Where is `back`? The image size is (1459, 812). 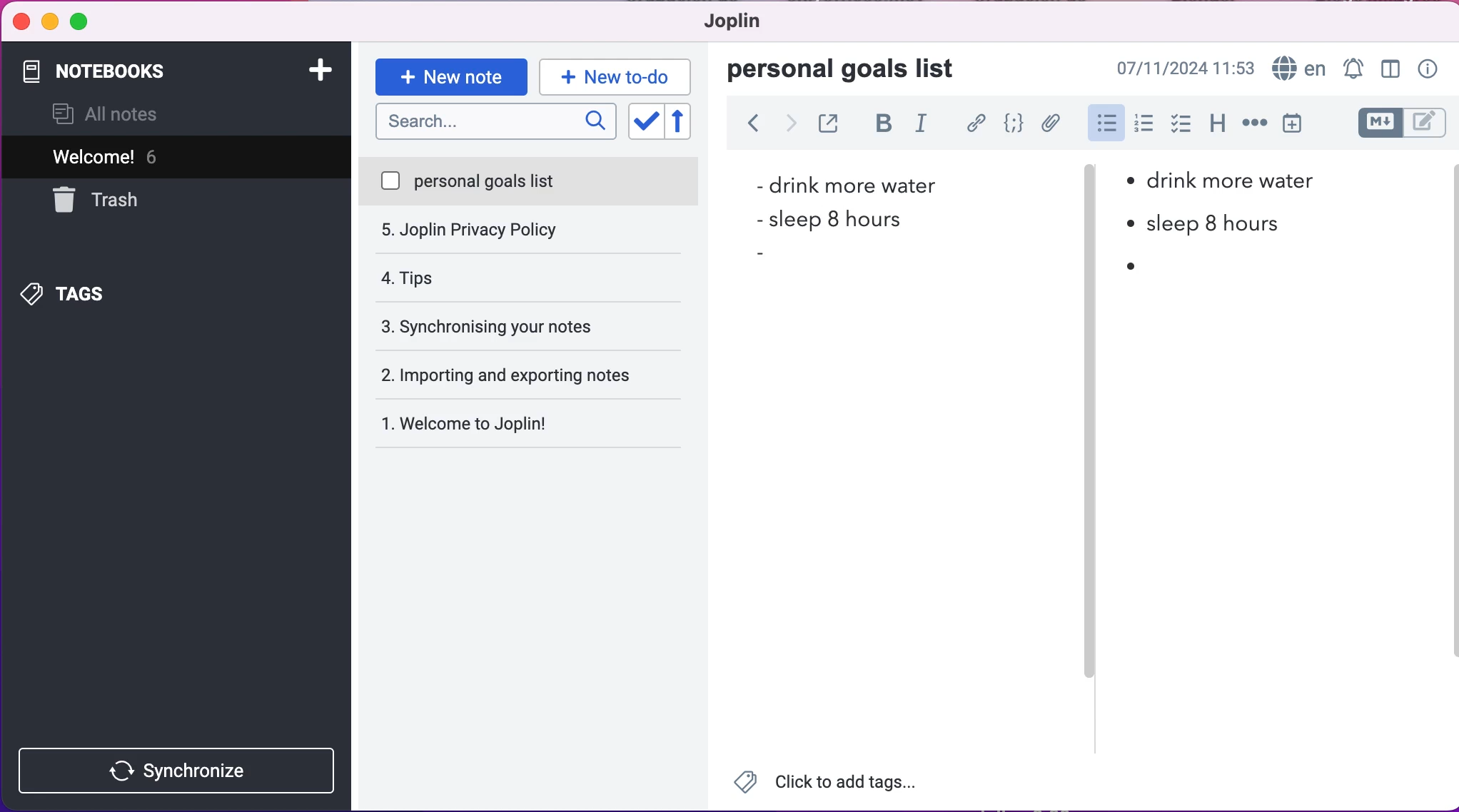 back is located at coordinates (753, 126).